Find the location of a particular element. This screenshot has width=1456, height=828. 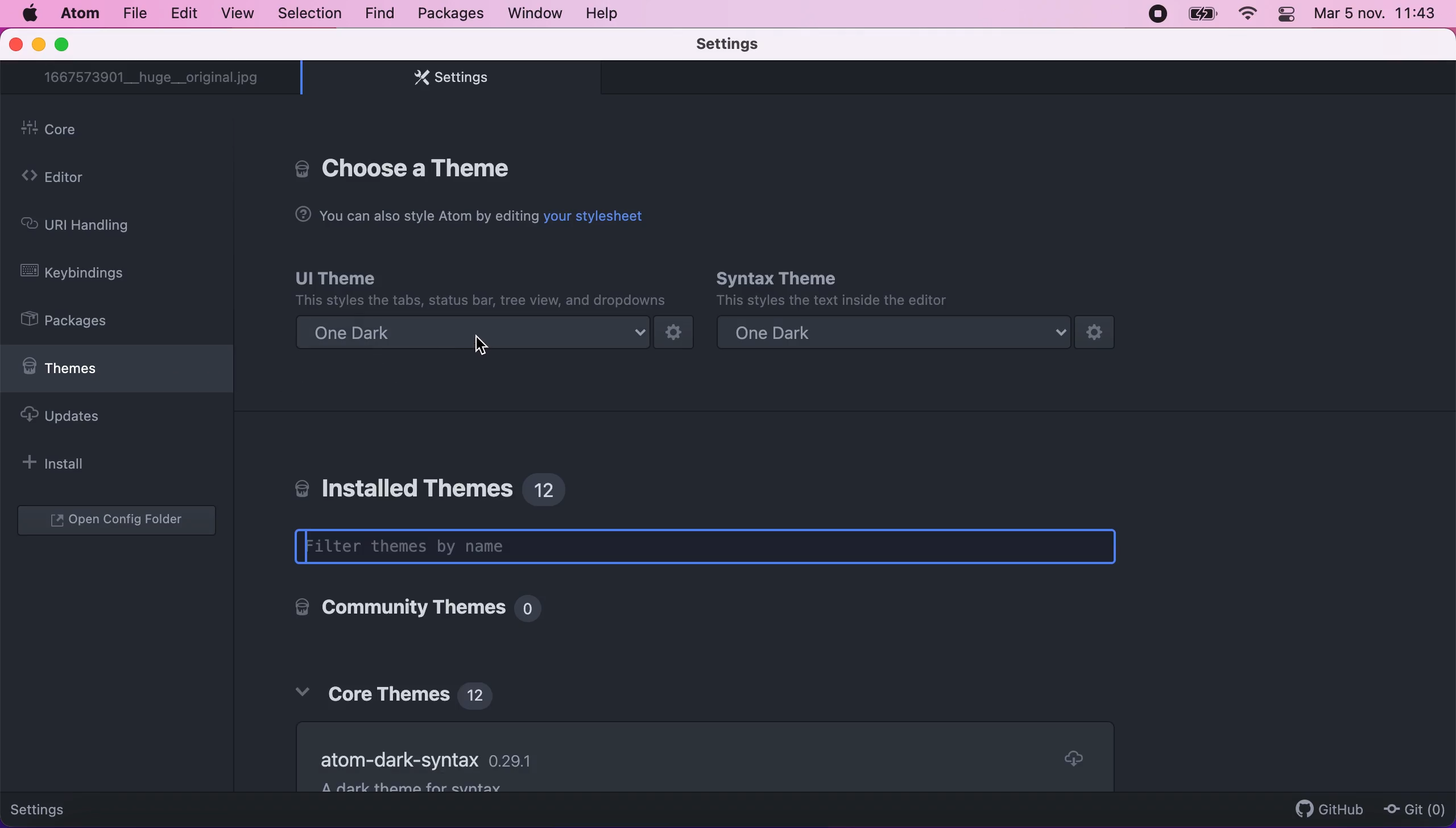

atom is located at coordinates (78, 16).